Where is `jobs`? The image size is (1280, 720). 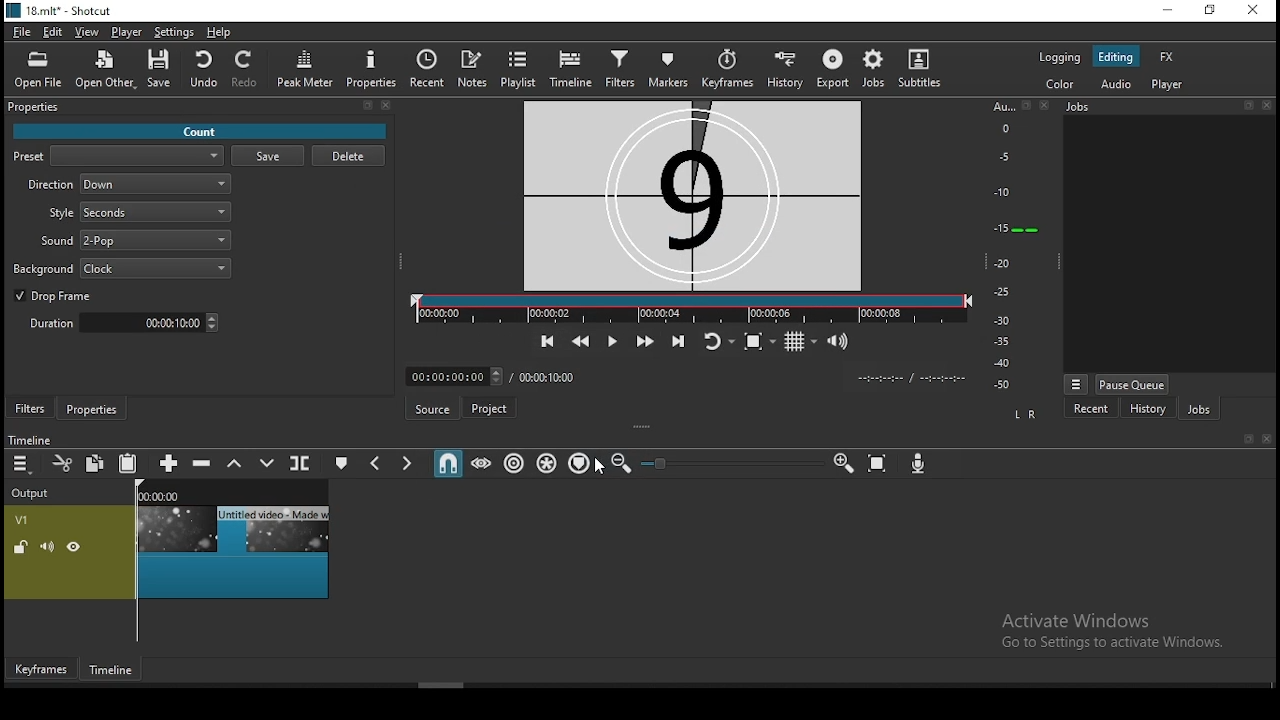
jobs is located at coordinates (1197, 410).